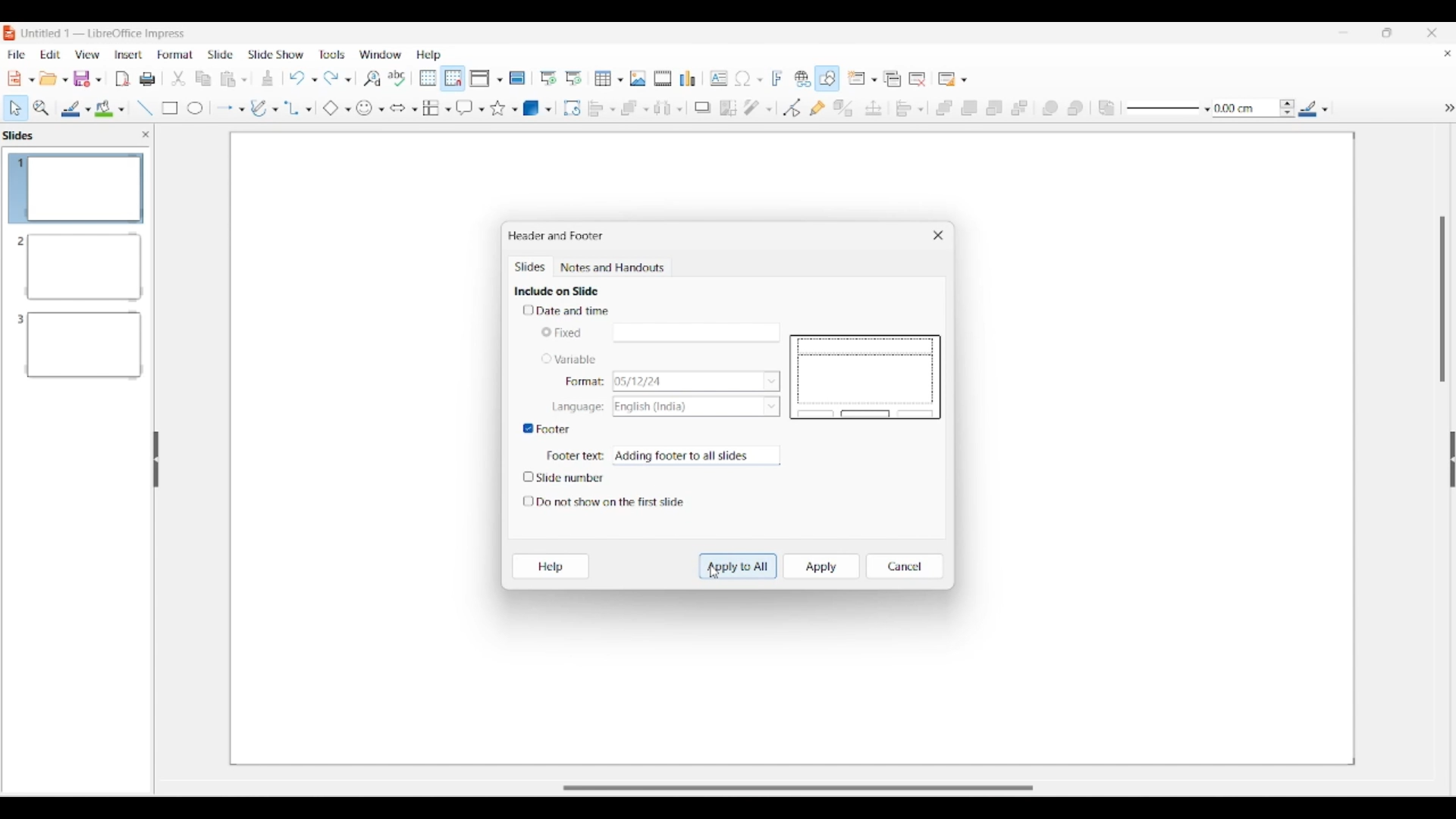 The width and height of the screenshot is (1456, 819). I want to click on Bring to front, so click(944, 108).